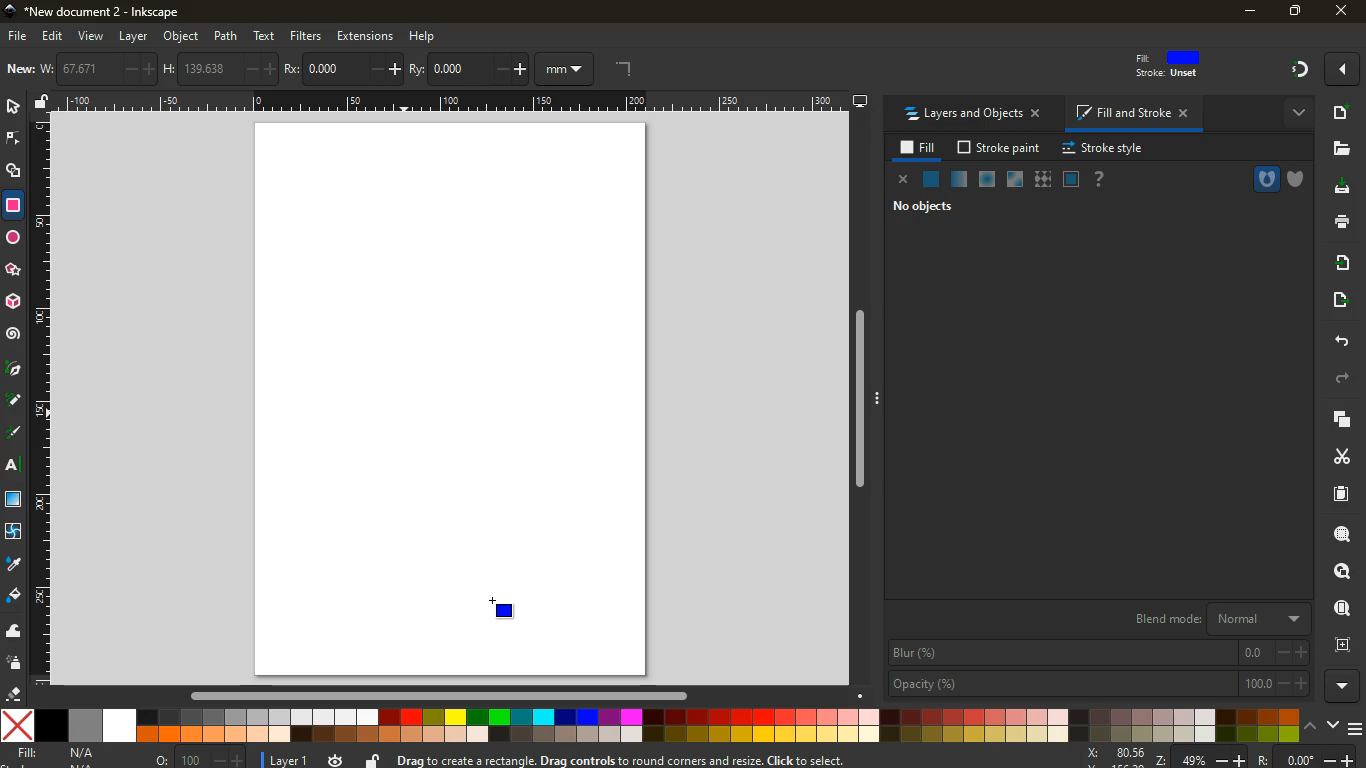 Image resolution: width=1366 pixels, height=768 pixels. Describe the element at coordinates (96, 10) in the screenshot. I see `inkscape` at that location.